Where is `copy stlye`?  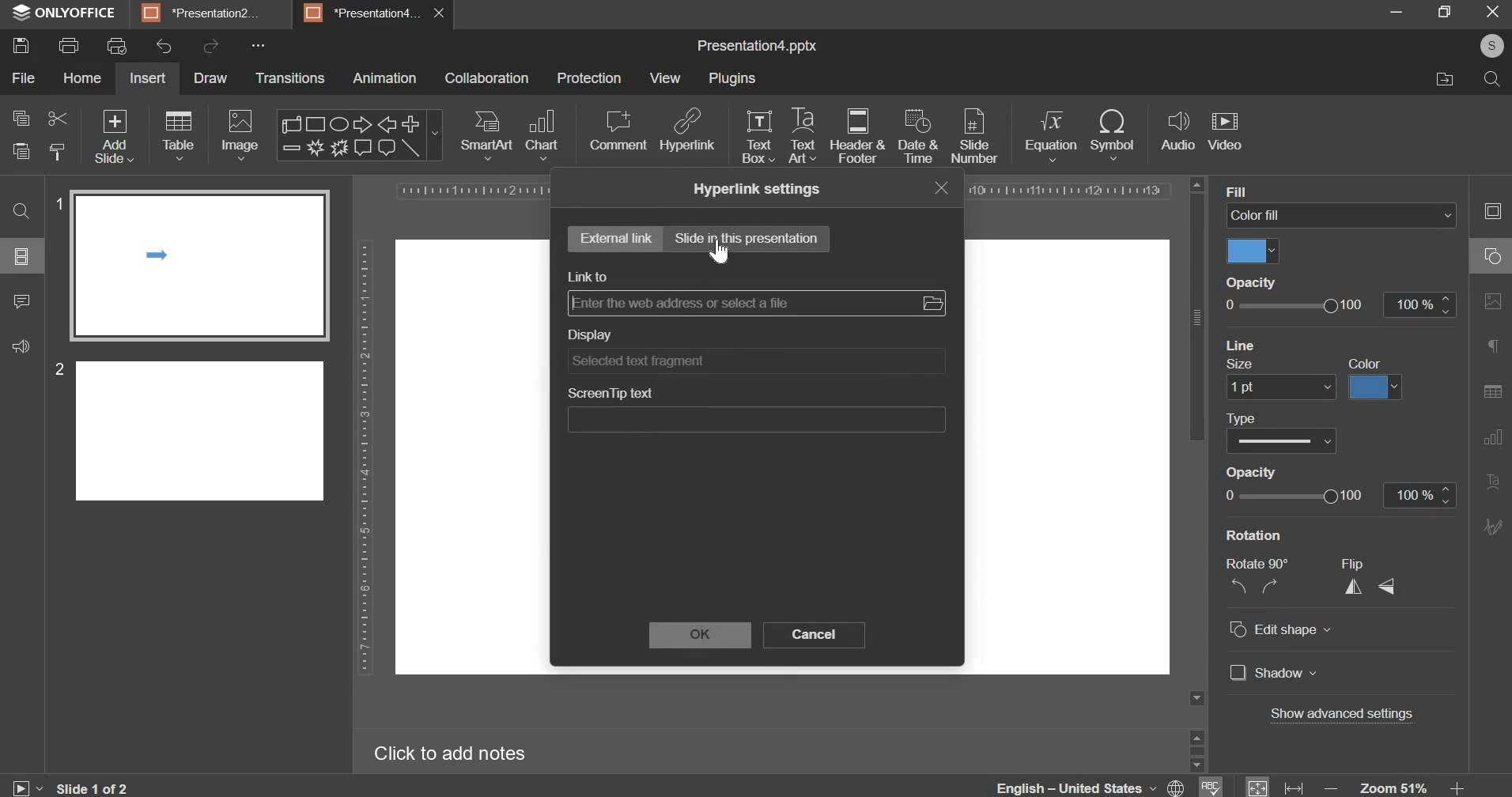
copy stlye is located at coordinates (56, 150).